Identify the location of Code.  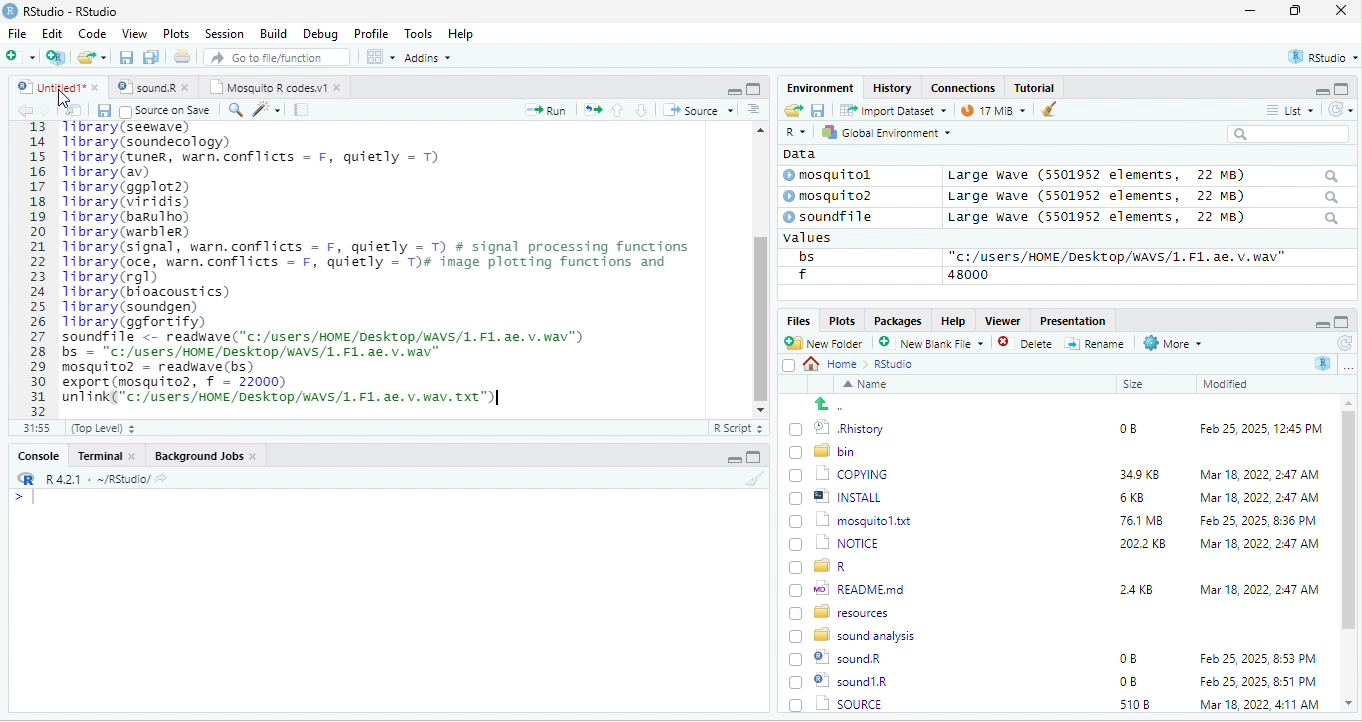
(93, 33).